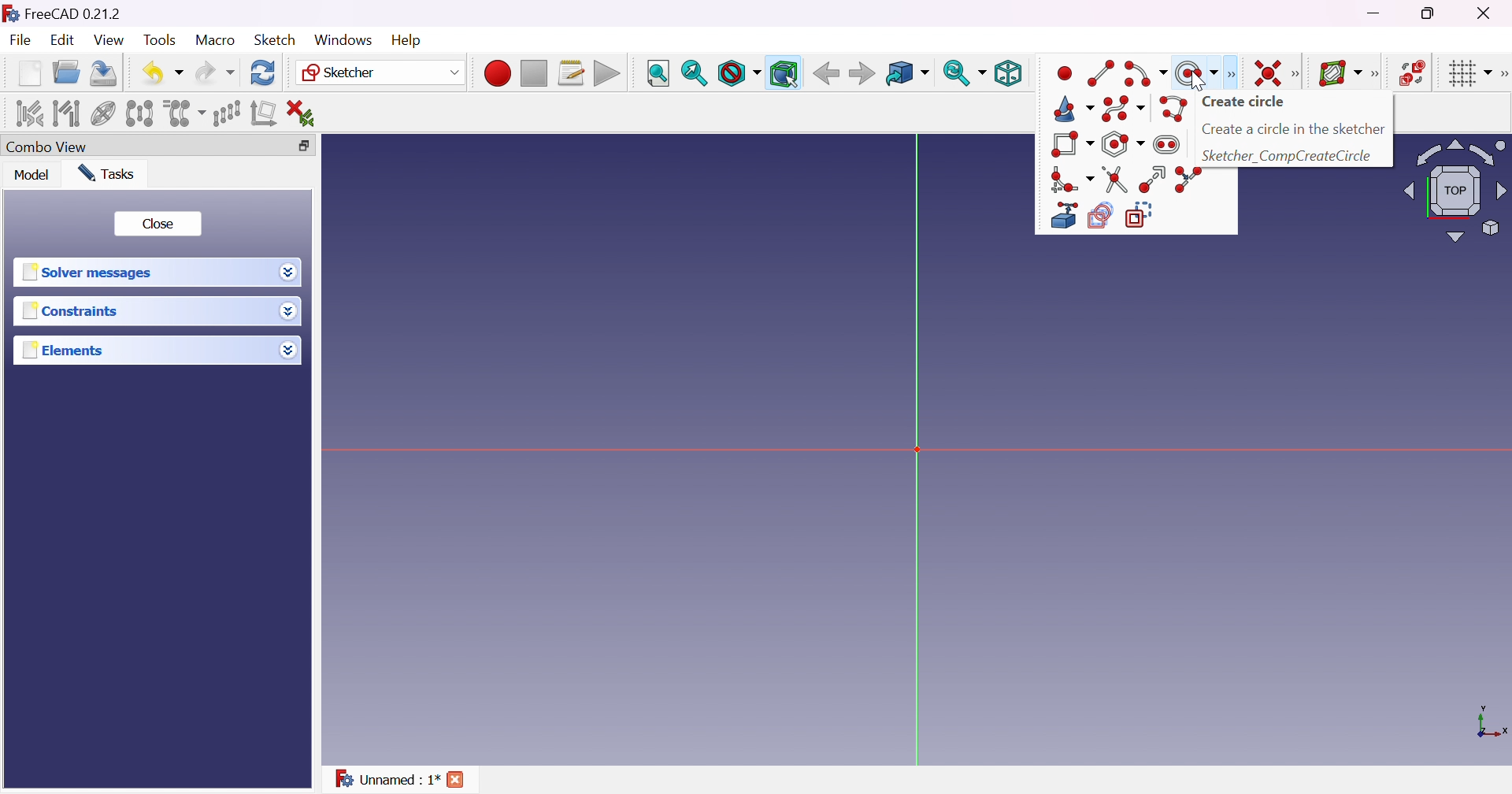  What do you see at coordinates (657, 72) in the screenshot?
I see `Fit all` at bounding box center [657, 72].